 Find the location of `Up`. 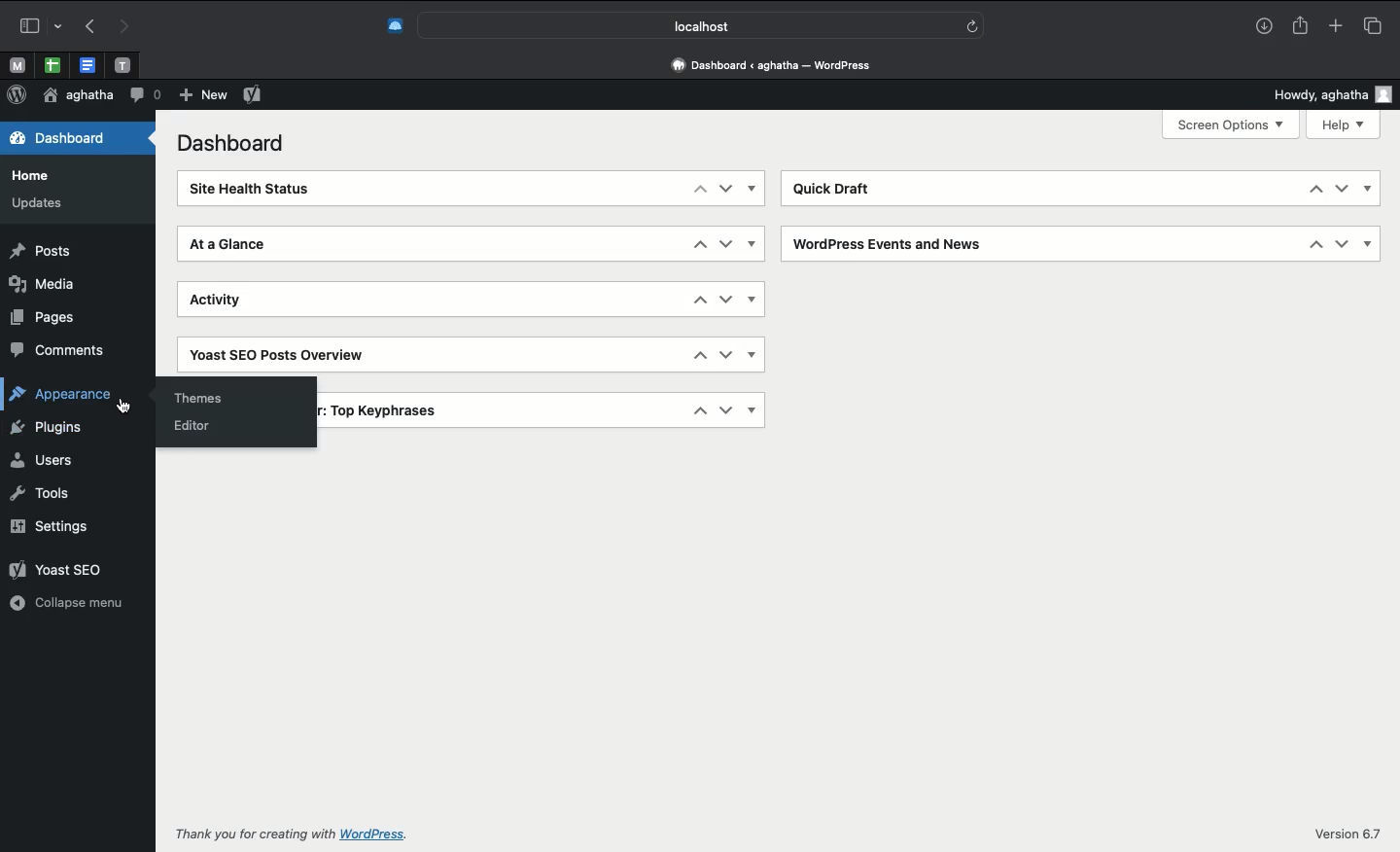

Up is located at coordinates (696, 299).